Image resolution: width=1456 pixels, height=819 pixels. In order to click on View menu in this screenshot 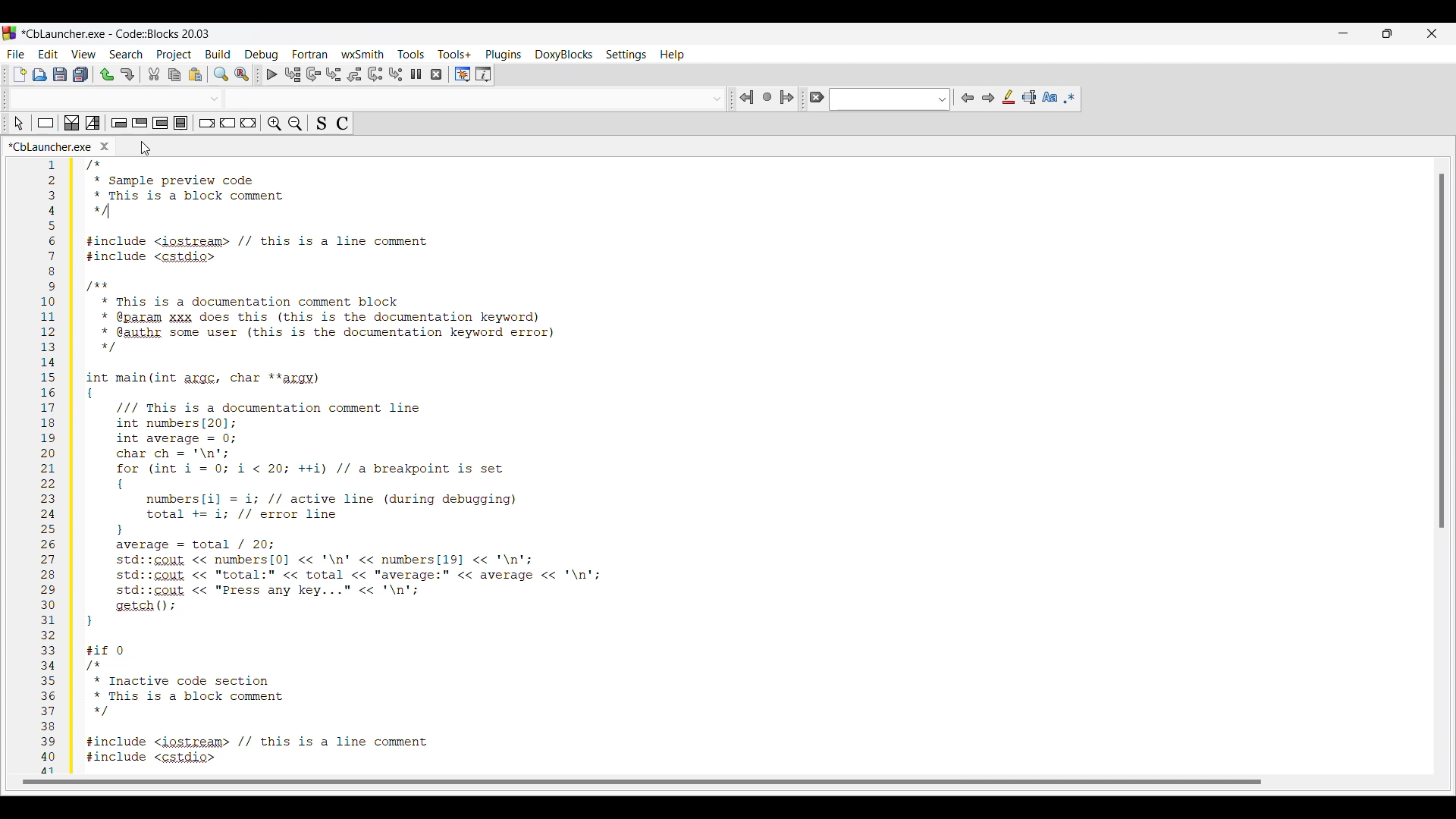, I will do `click(84, 55)`.